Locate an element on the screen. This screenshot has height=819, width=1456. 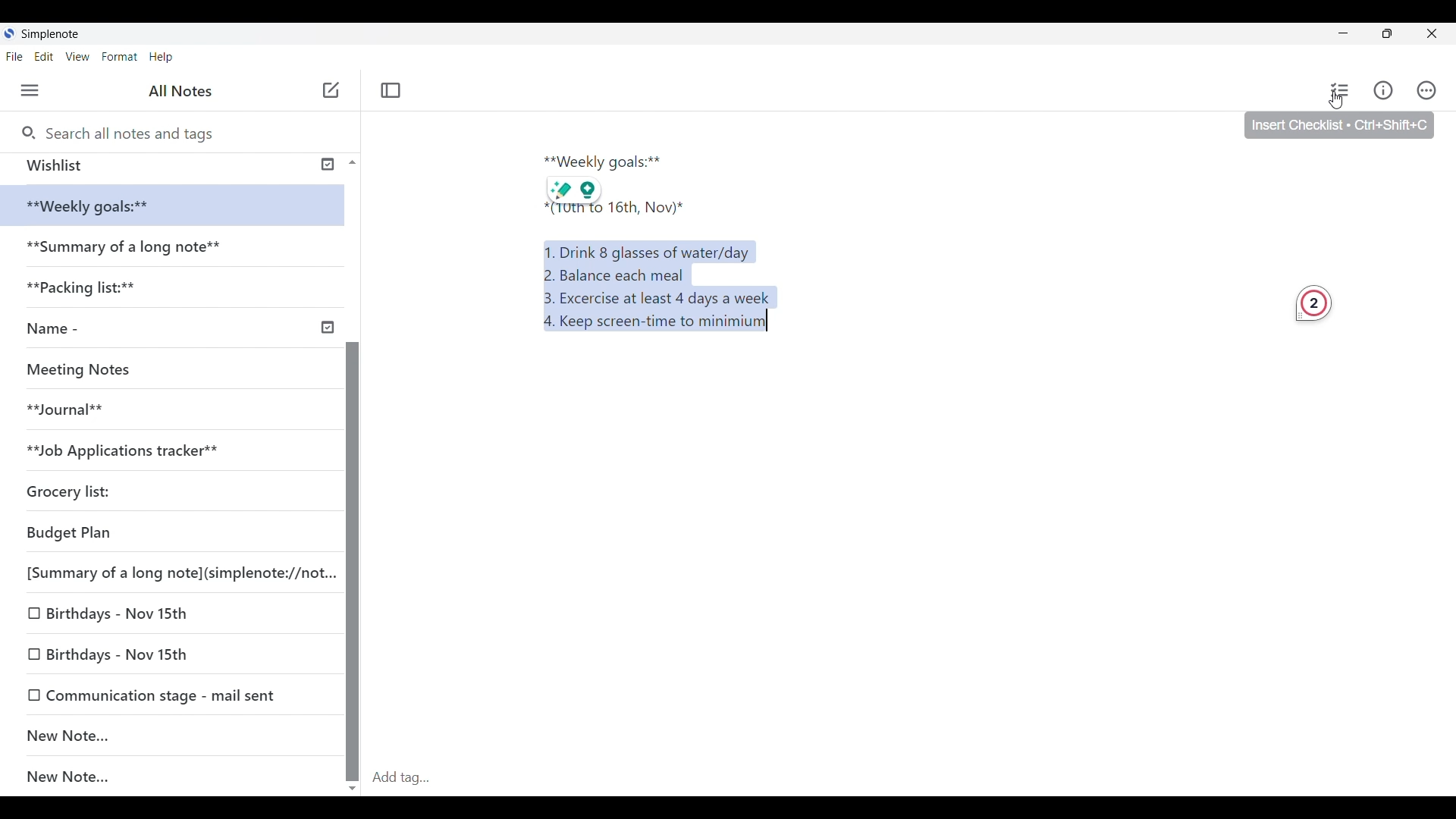
*(10th to 16th, Nov)* is located at coordinates (607, 212).